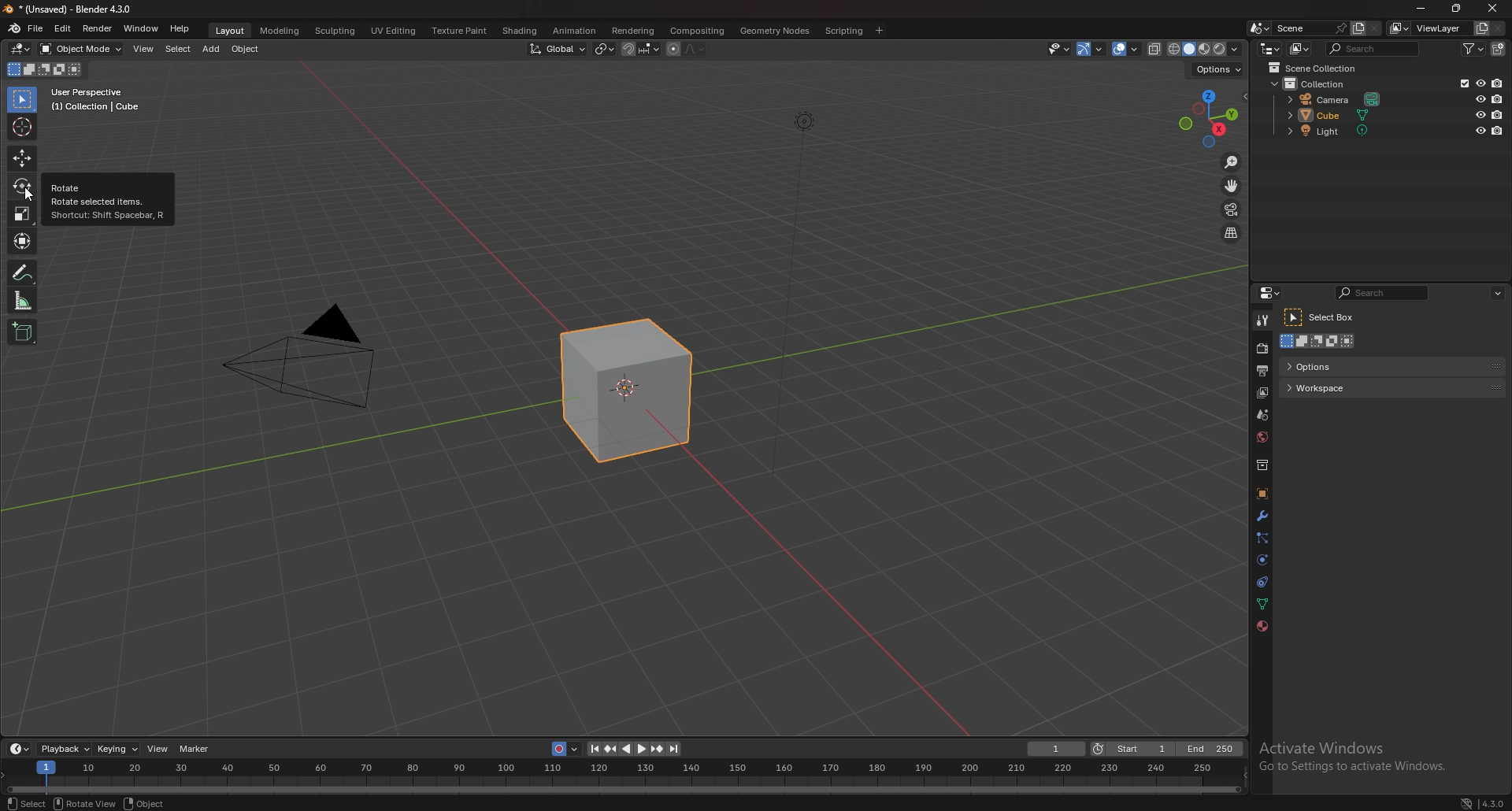 This screenshot has height=811, width=1512. Describe the element at coordinates (1264, 602) in the screenshot. I see `data` at that location.